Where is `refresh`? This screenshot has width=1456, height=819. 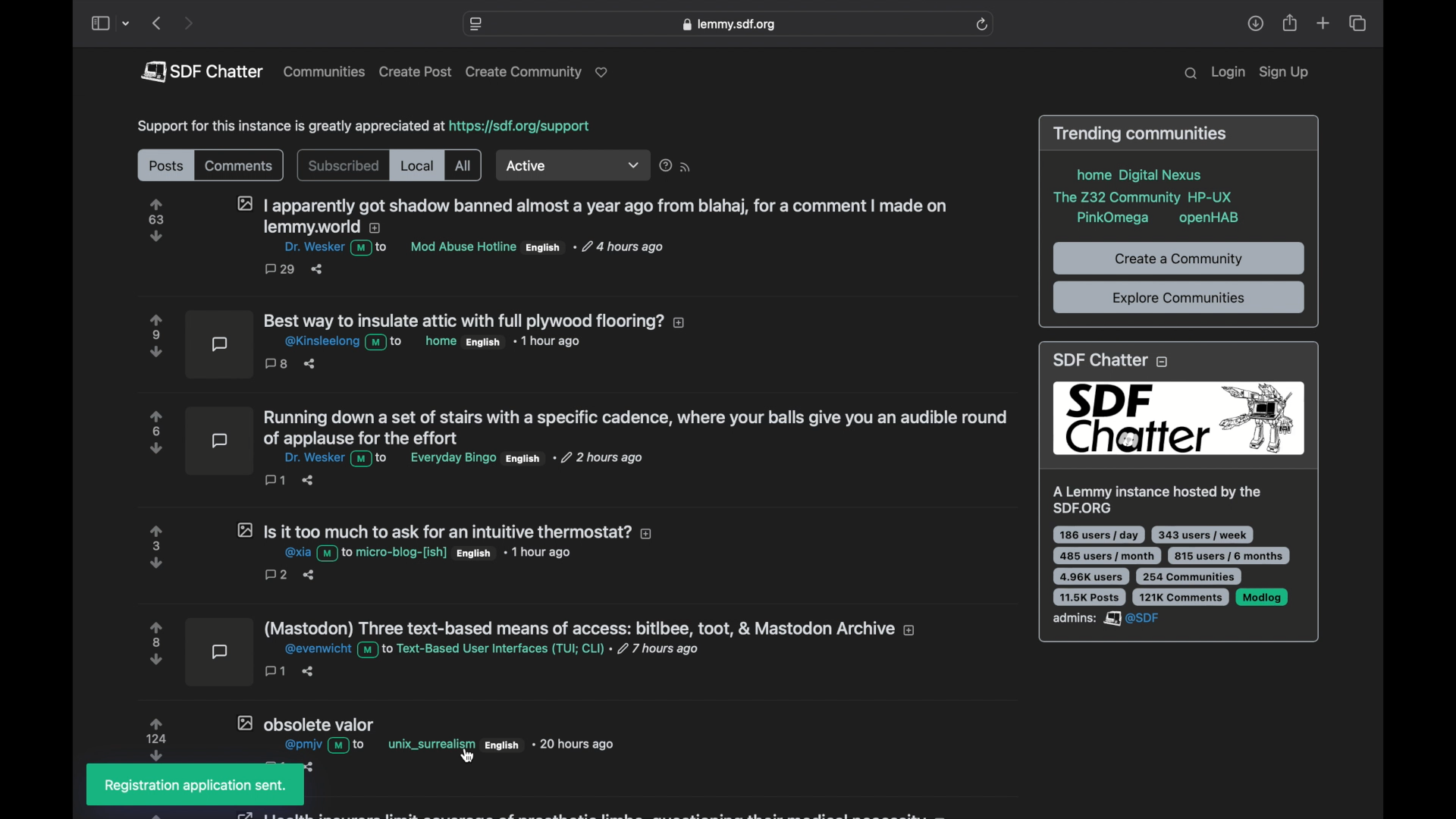
refresh is located at coordinates (982, 24).